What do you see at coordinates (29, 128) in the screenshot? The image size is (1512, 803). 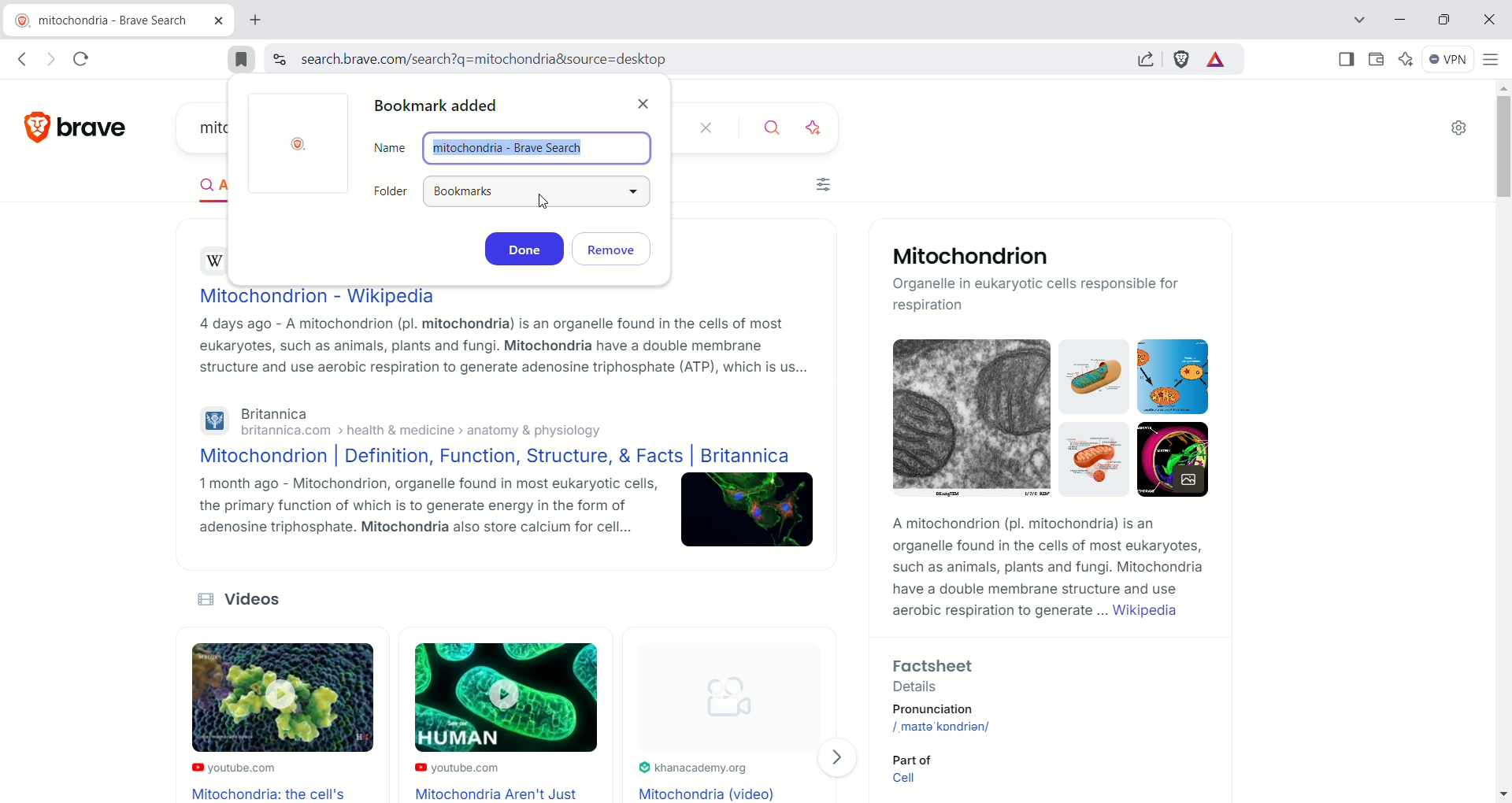 I see `logo` at bounding box center [29, 128].